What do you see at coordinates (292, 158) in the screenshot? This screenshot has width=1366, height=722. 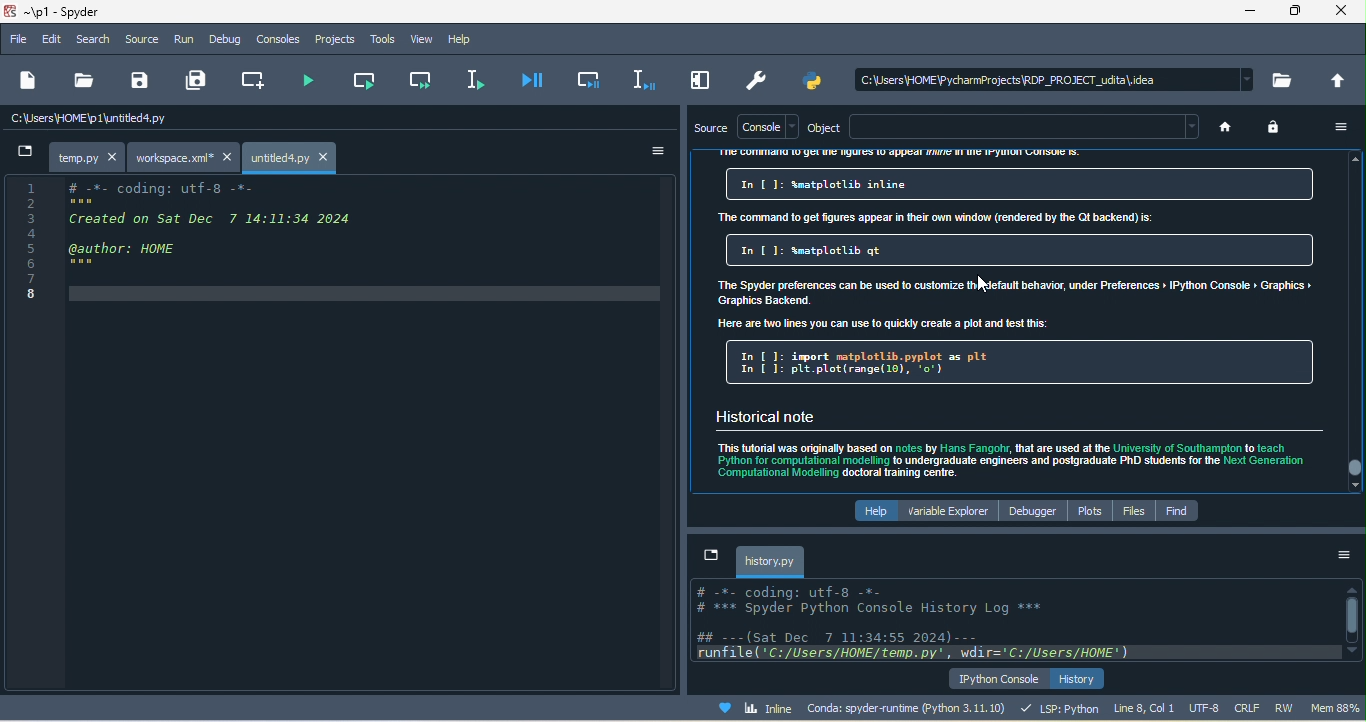 I see `untitled4` at bounding box center [292, 158].